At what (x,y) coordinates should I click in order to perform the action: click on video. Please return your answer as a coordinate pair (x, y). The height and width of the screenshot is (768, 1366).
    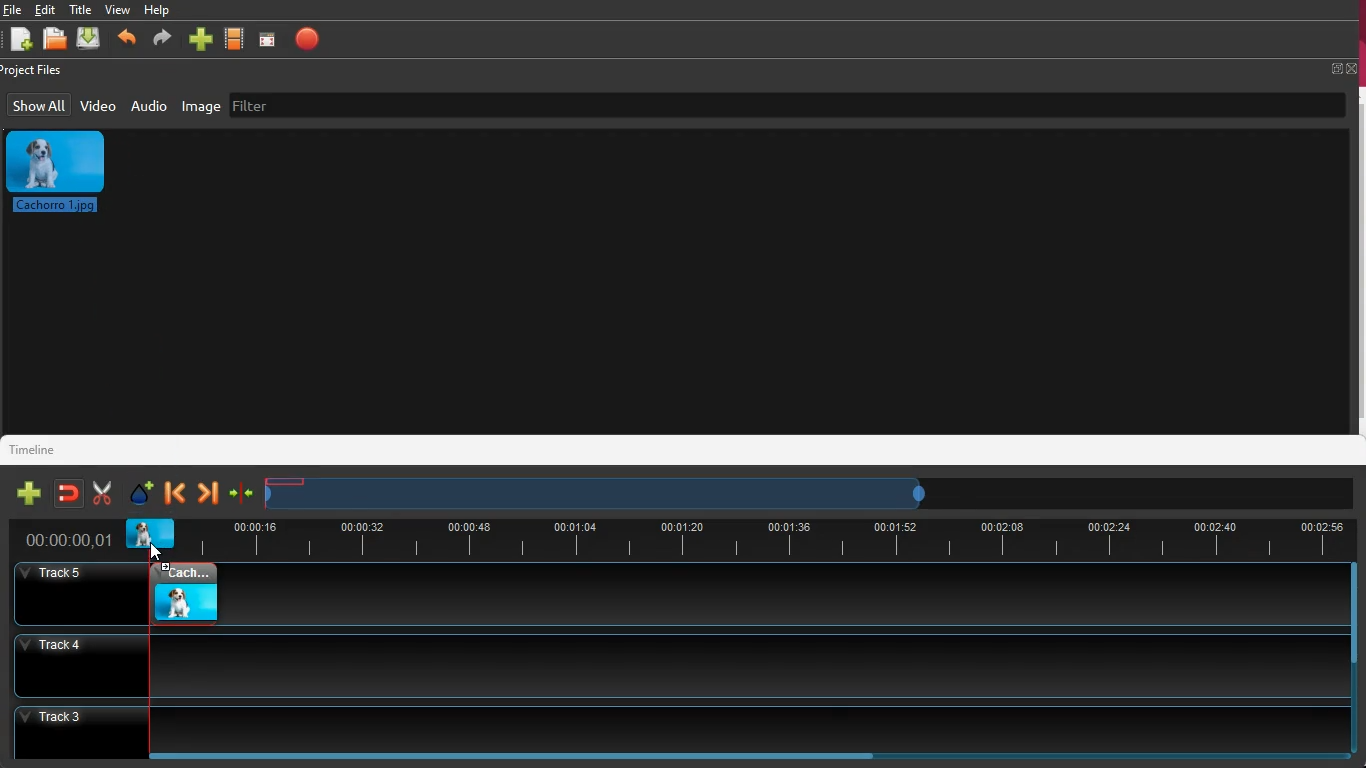
    Looking at the image, I should click on (184, 590).